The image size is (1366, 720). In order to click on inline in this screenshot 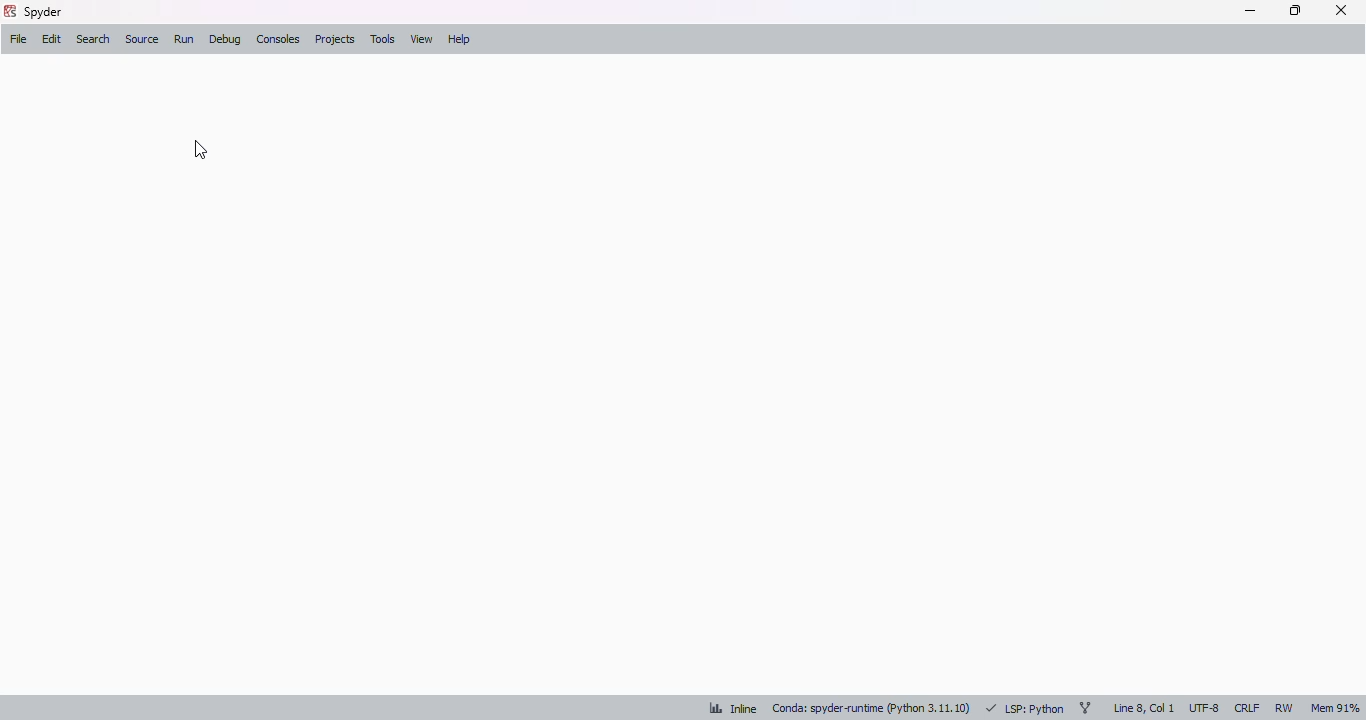, I will do `click(733, 708)`.